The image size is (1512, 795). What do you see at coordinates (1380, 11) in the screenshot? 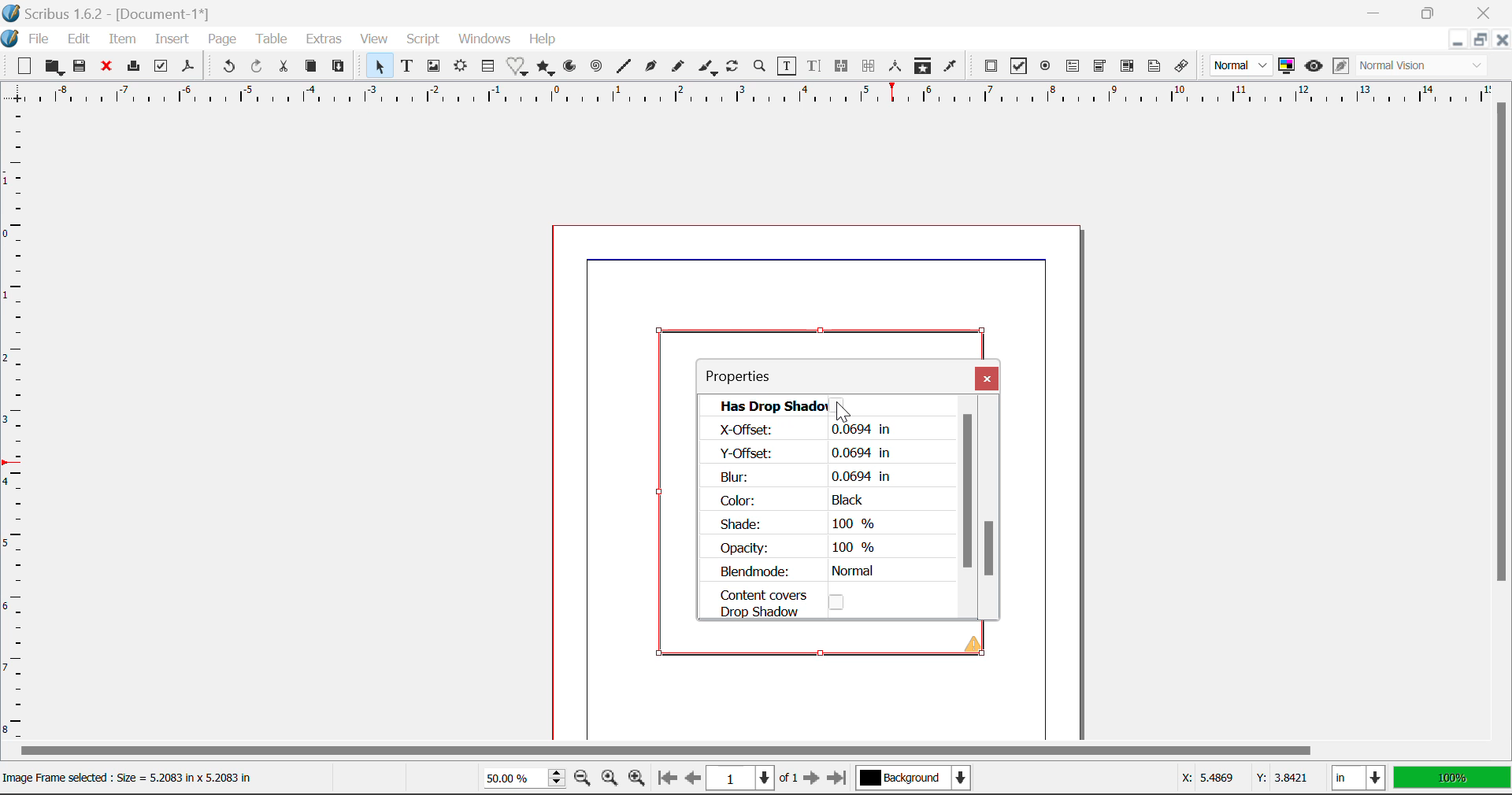
I see `Restore Down` at bounding box center [1380, 11].